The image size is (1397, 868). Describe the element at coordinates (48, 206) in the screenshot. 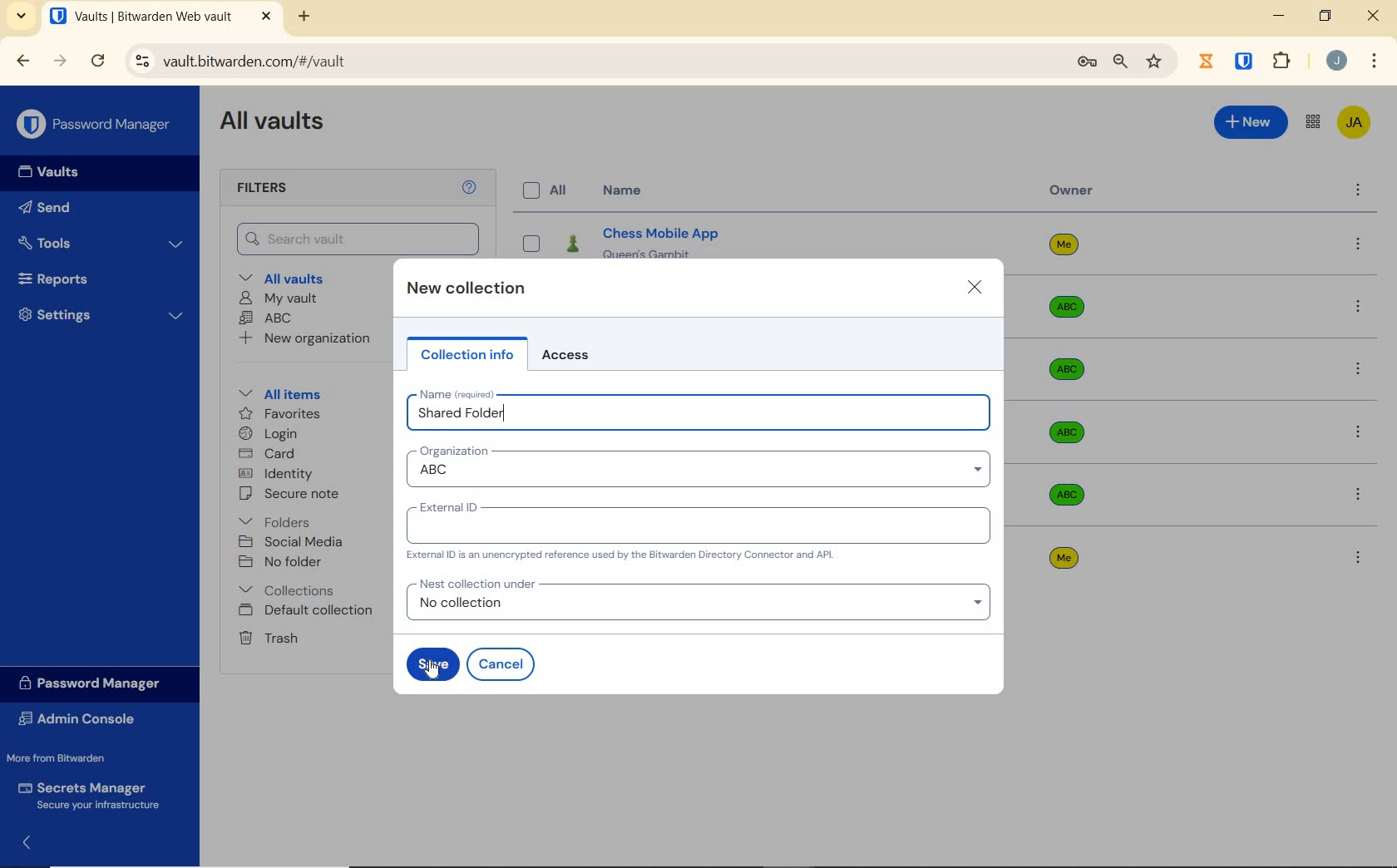

I see `Send` at that location.